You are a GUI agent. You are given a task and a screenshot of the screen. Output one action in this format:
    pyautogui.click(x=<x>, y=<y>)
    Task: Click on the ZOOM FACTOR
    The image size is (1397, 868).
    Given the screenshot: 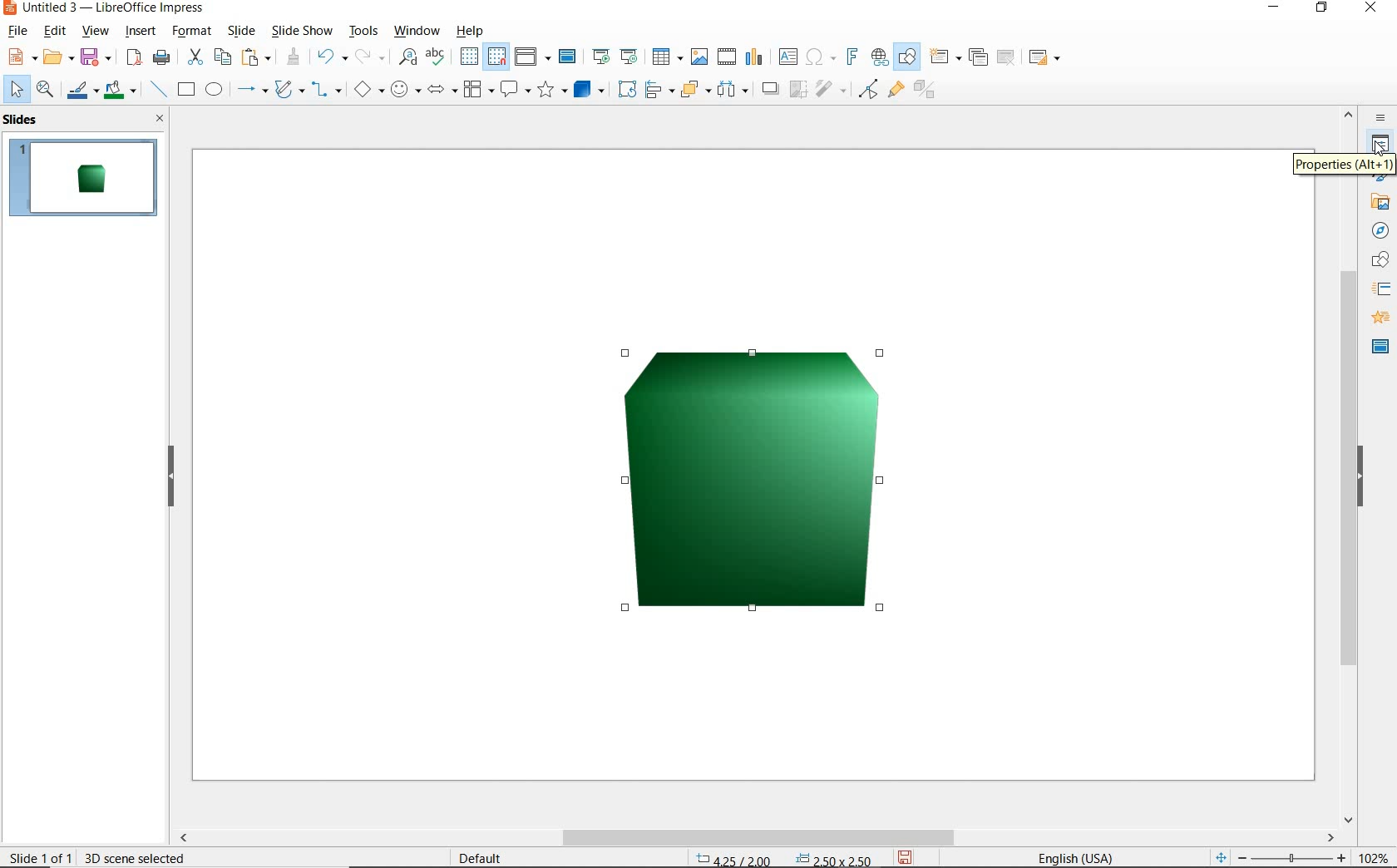 What is the action you would take?
    pyautogui.click(x=1371, y=855)
    